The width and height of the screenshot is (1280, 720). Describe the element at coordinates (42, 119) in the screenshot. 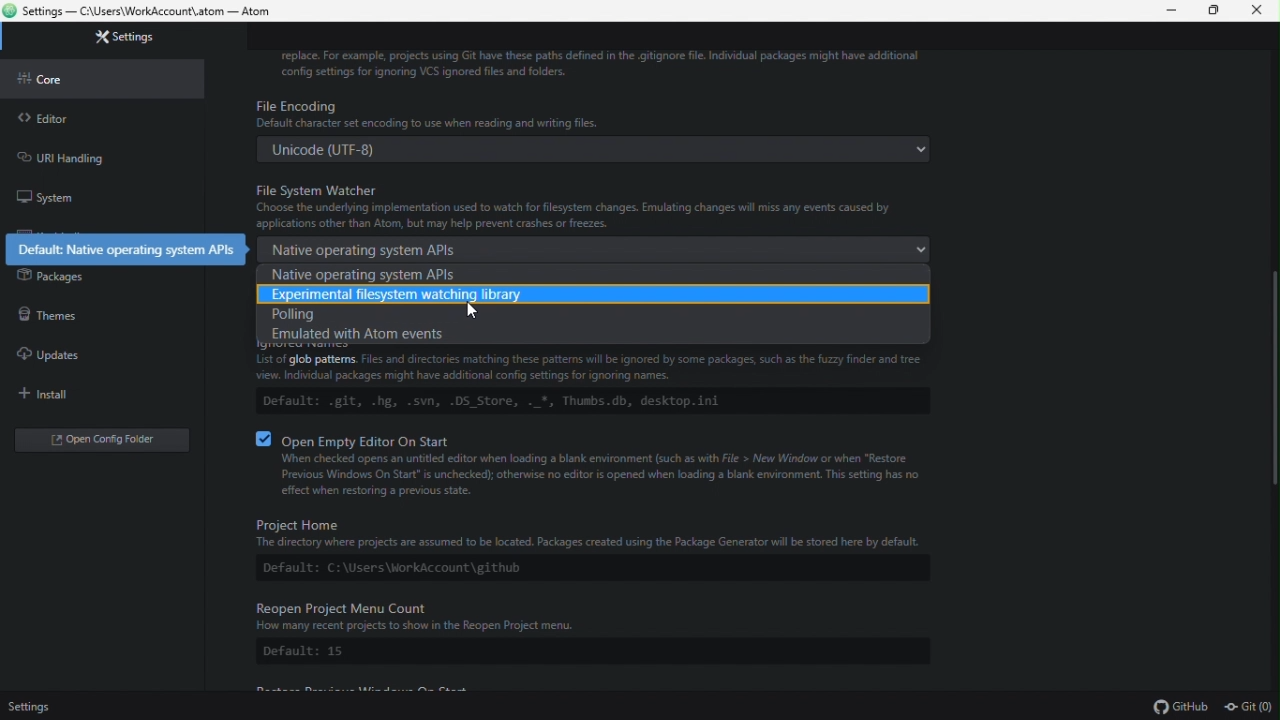

I see `Editor` at that location.